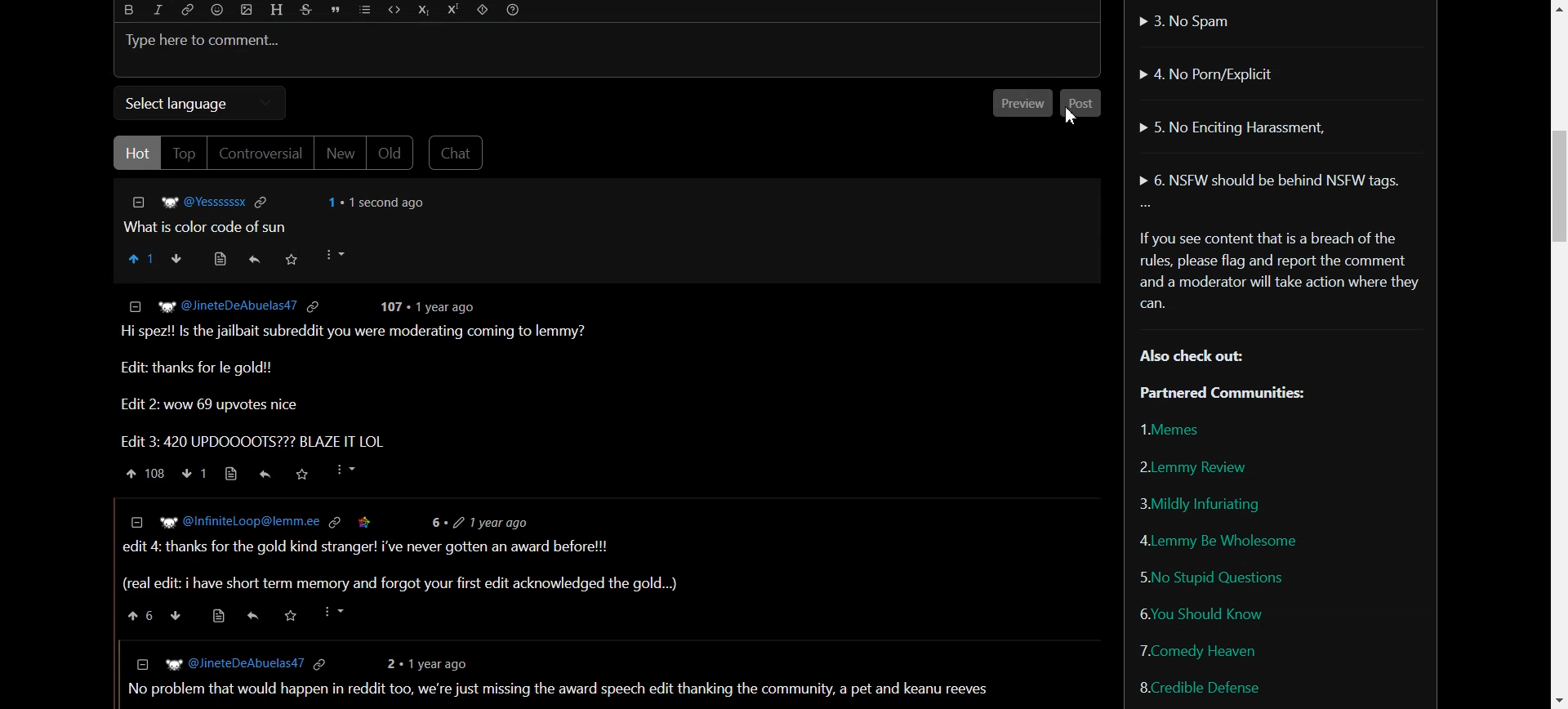 This screenshot has height=709, width=1568. What do you see at coordinates (562, 493) in the screenshot?
I see `text` at bounding box center [562, 493].